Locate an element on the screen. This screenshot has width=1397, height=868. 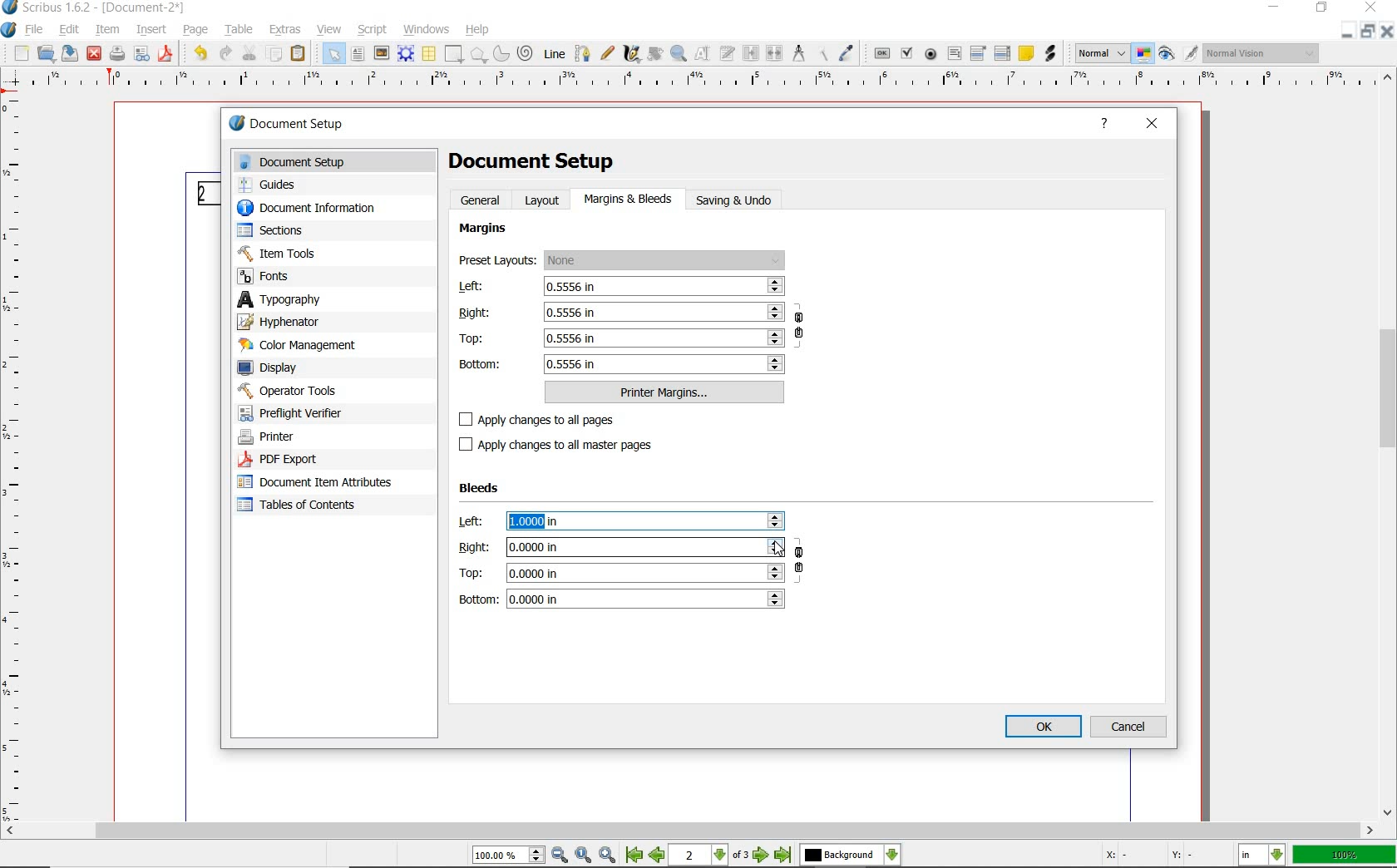
paste is located at coordinates (298, 56).